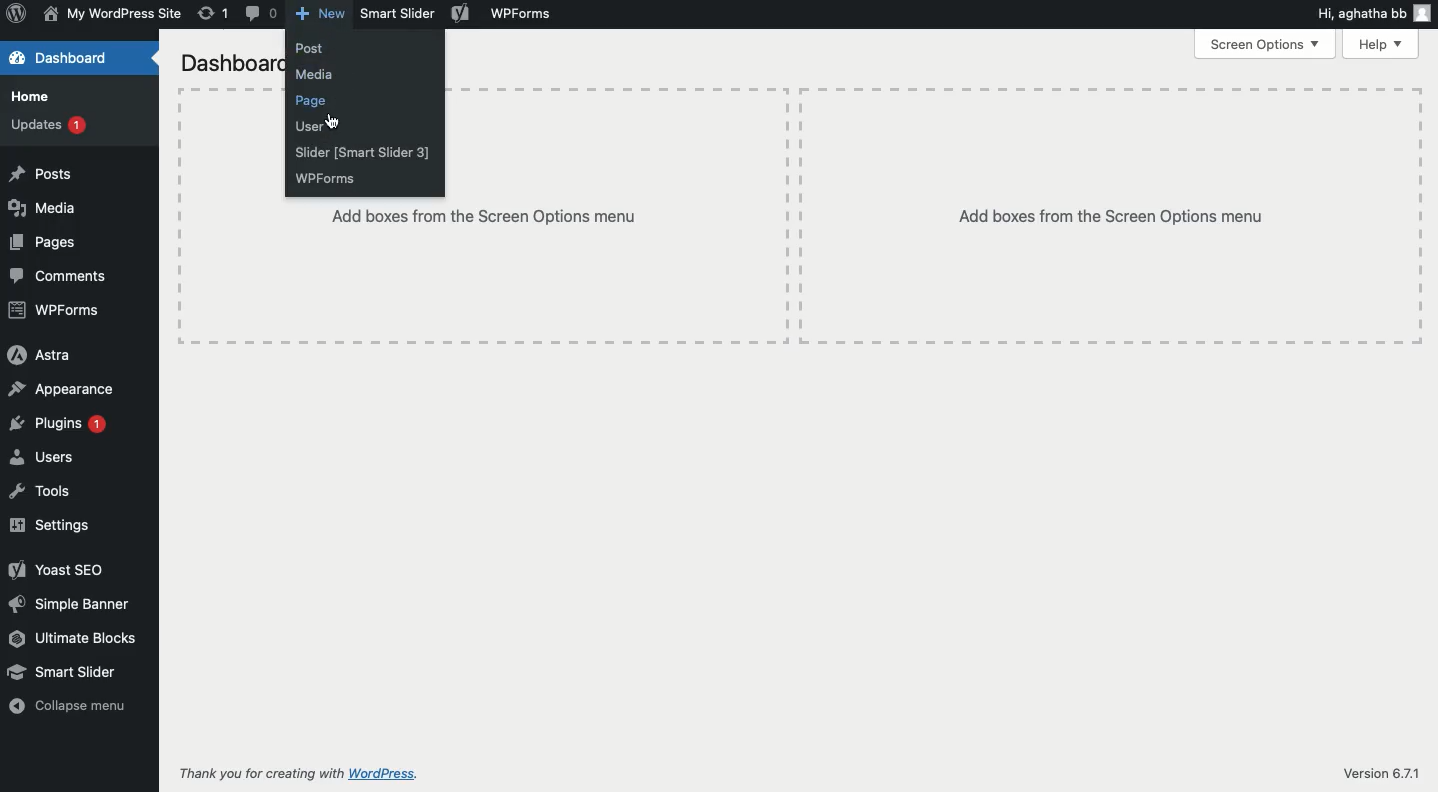  I want to click on Yoast, so click(462, 14).